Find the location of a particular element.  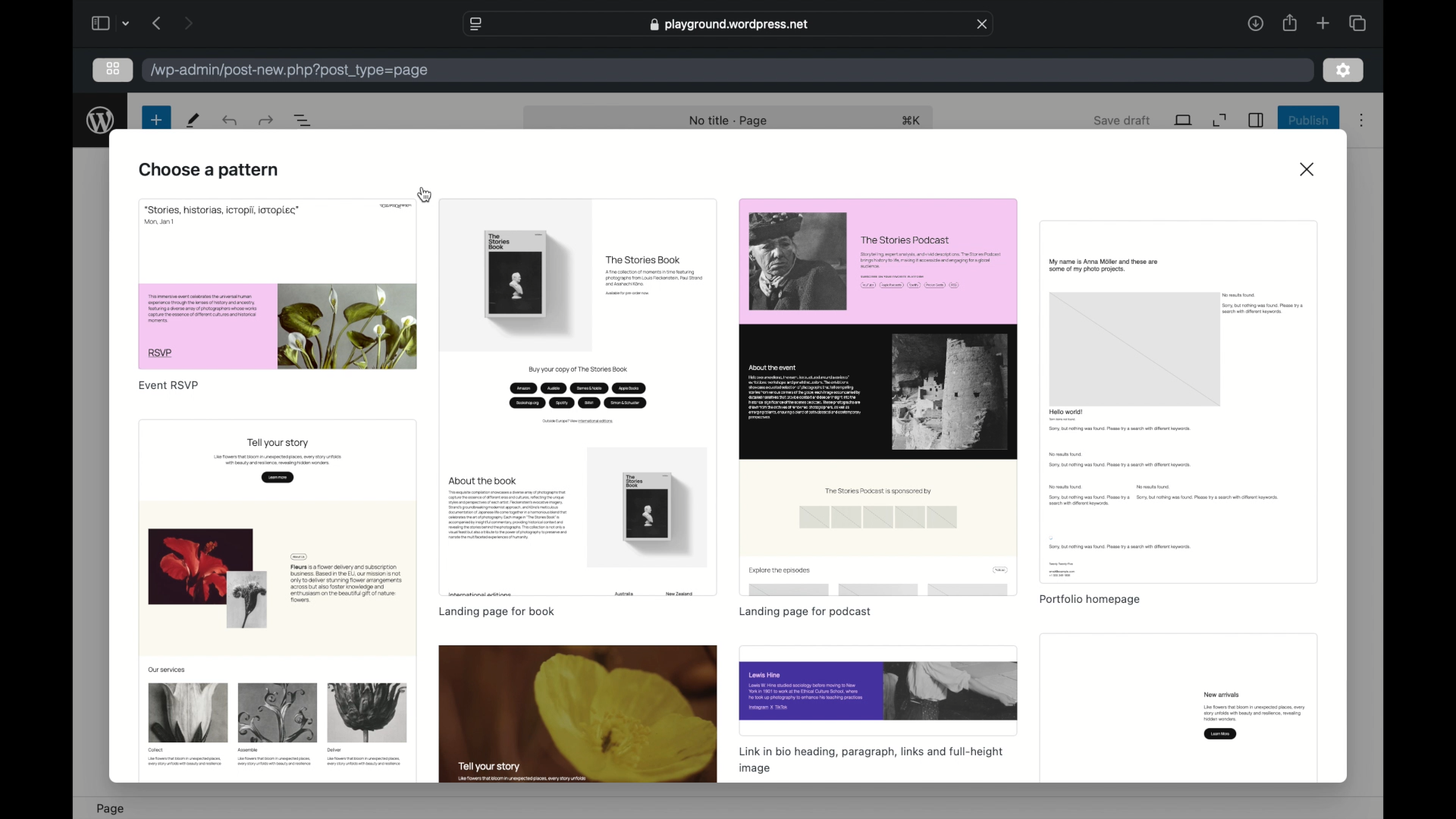

next is located at coordinates (188, 23).